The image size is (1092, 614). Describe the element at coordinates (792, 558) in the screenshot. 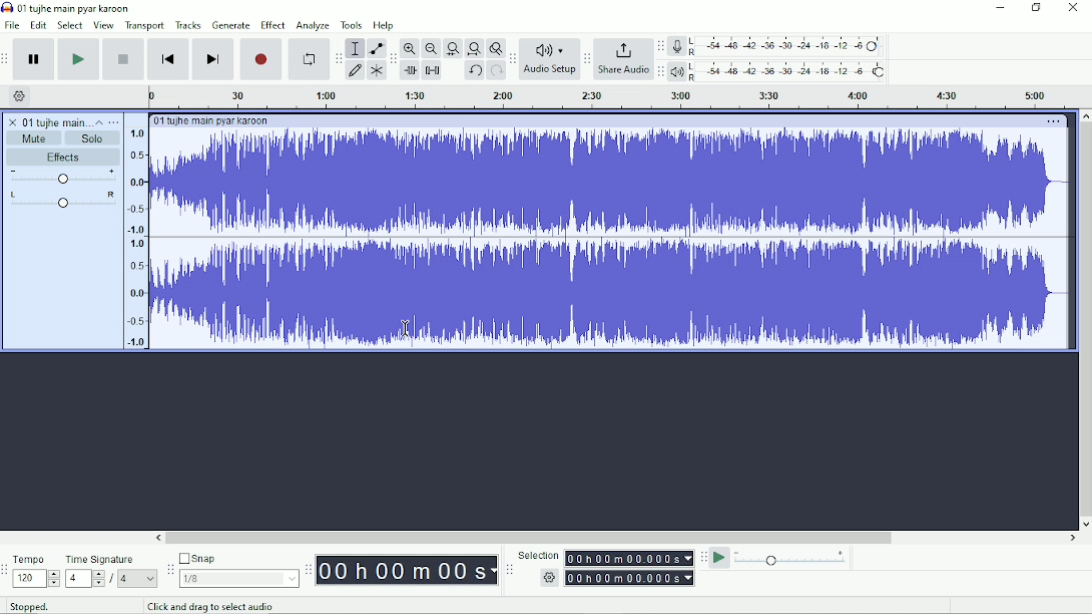

I see `Playback speed` at that location.